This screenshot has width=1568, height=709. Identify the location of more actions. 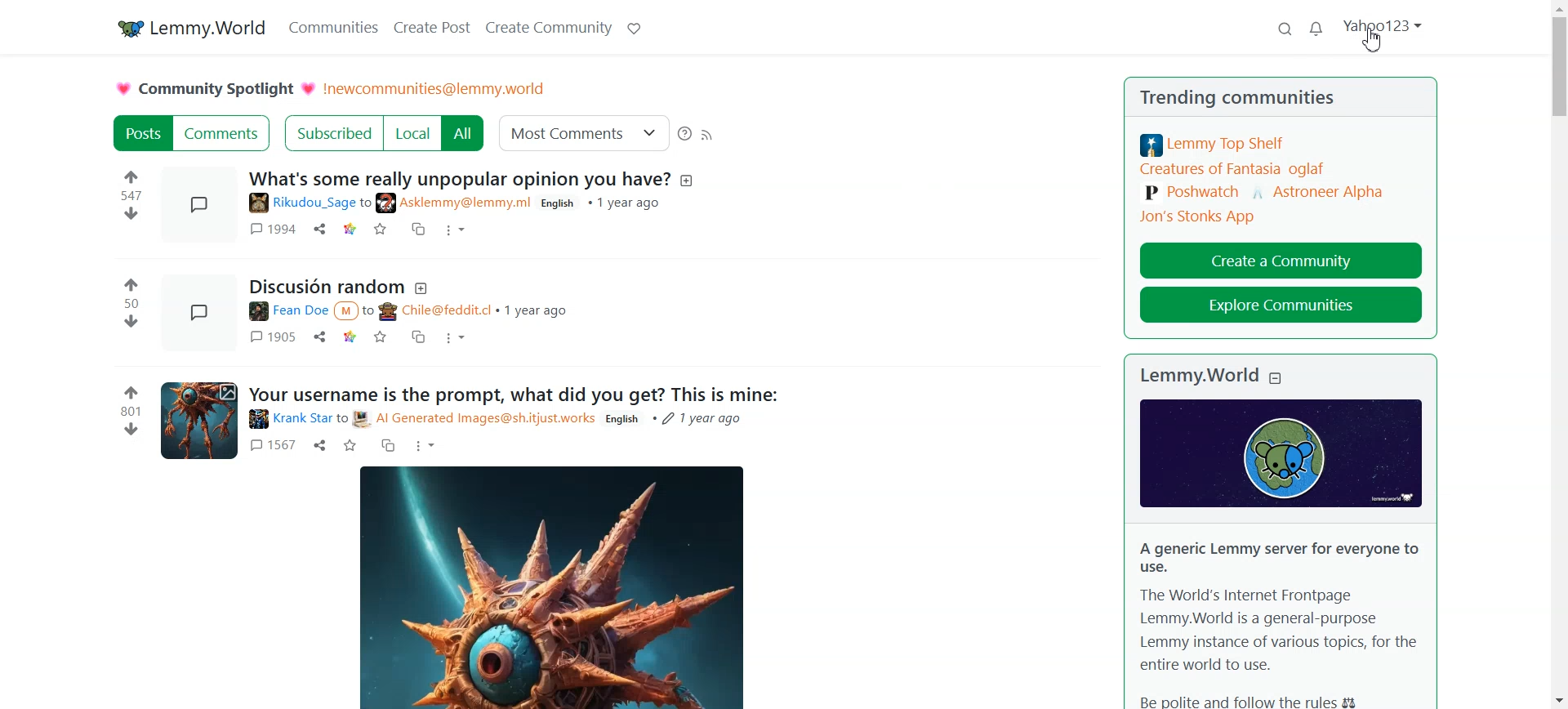
(456, 341).